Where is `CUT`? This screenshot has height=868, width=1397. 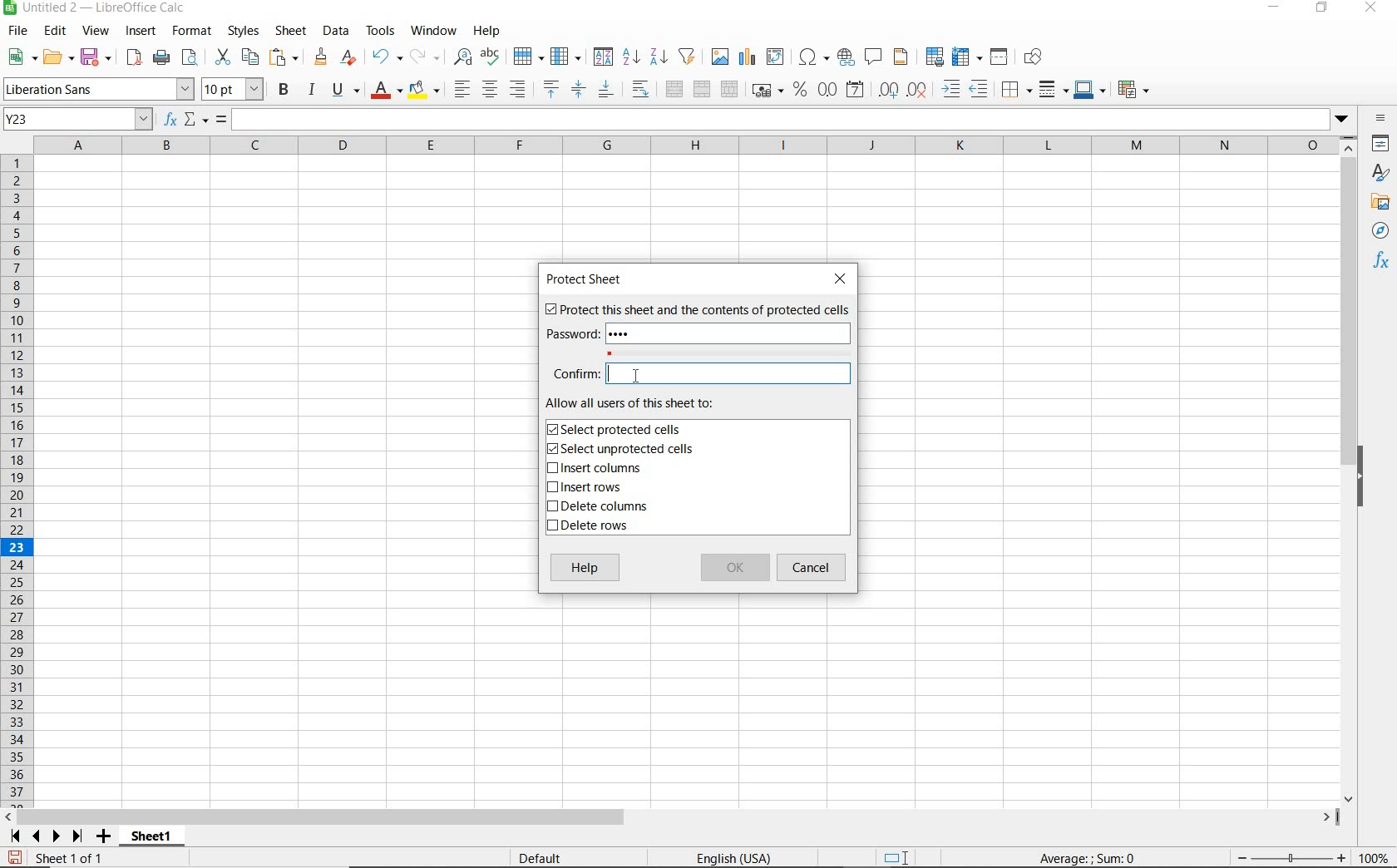 CUT is located at coordinates (221, 56).